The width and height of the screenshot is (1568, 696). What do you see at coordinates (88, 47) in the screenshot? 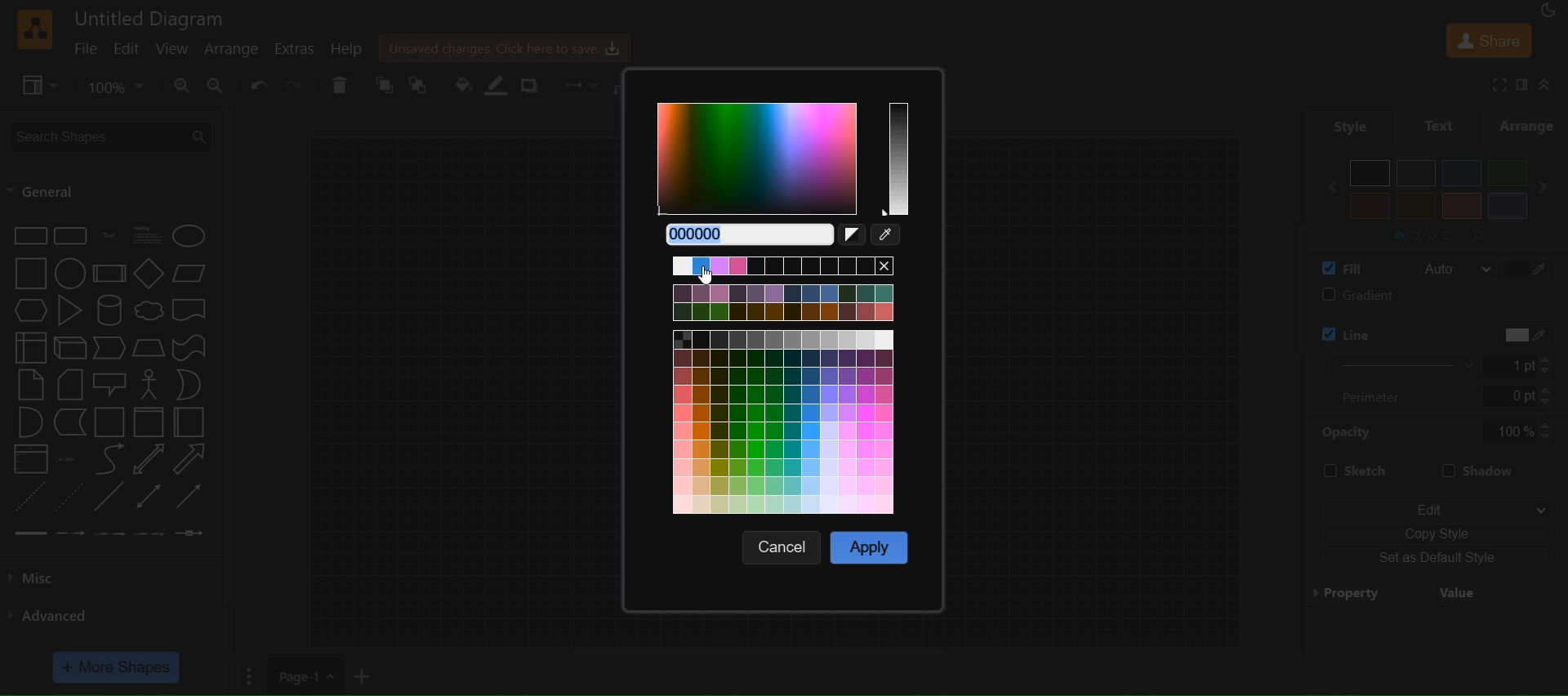
I see `file` at bounding box center [88, 47].